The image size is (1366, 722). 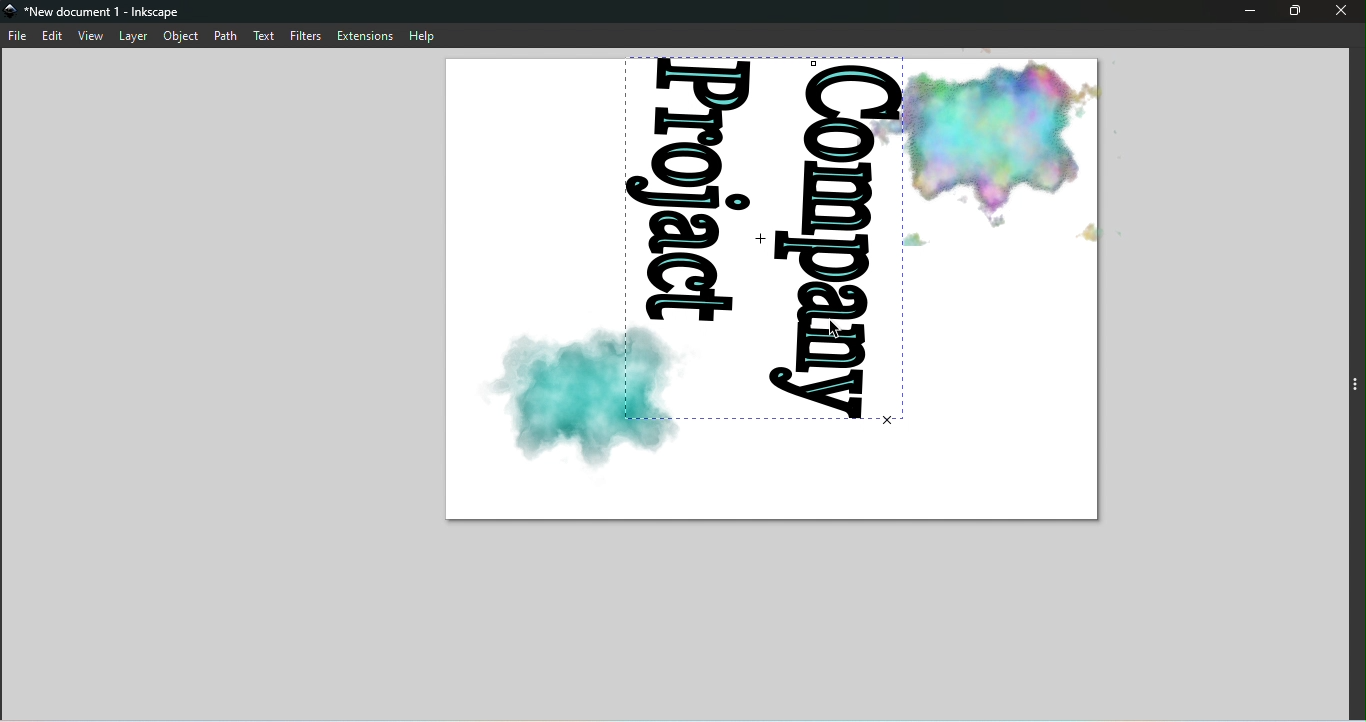 I want to click on Filters, so click(x=309, y=35).